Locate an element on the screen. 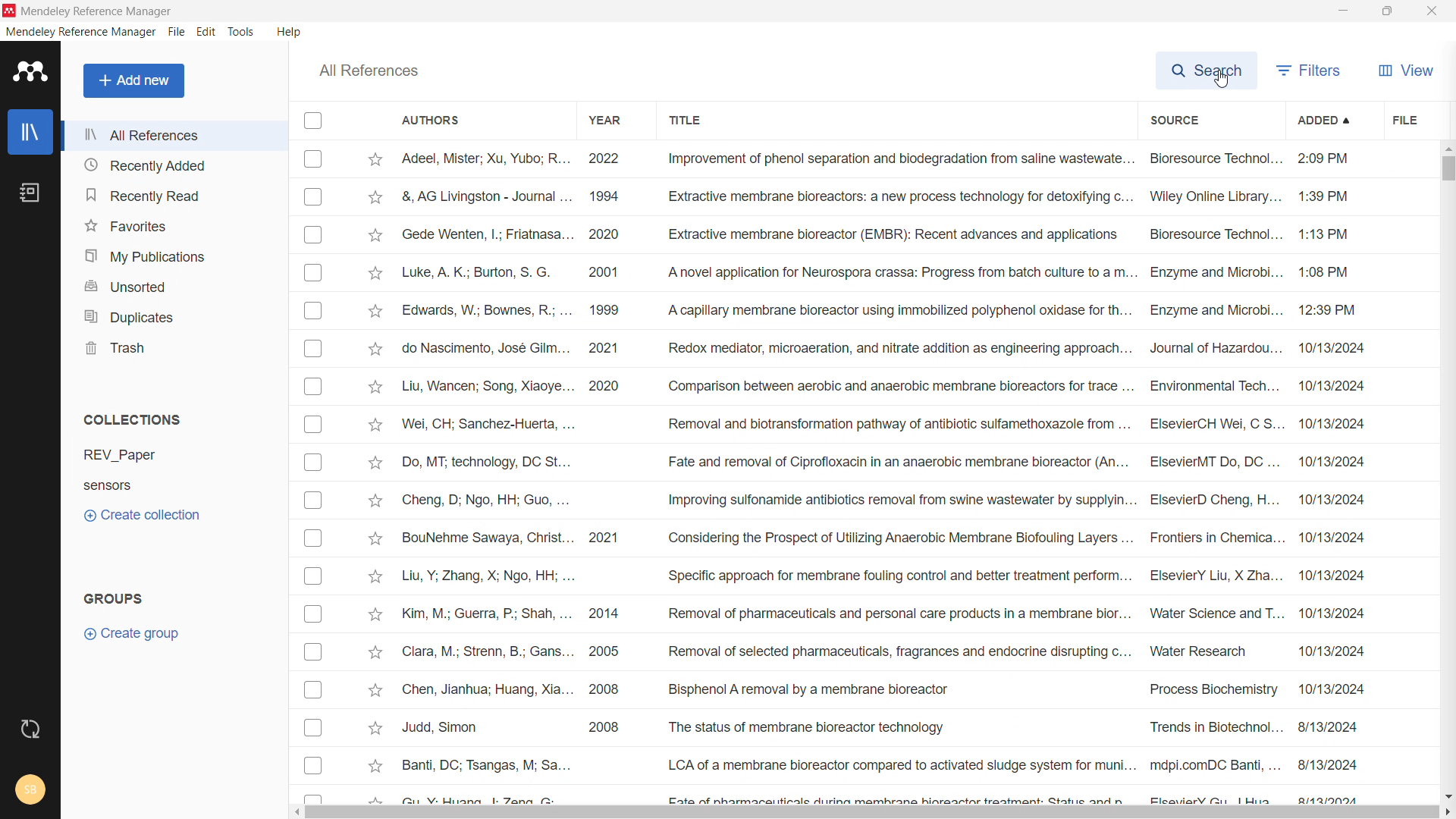  logo is located at coordinates (31, 71).